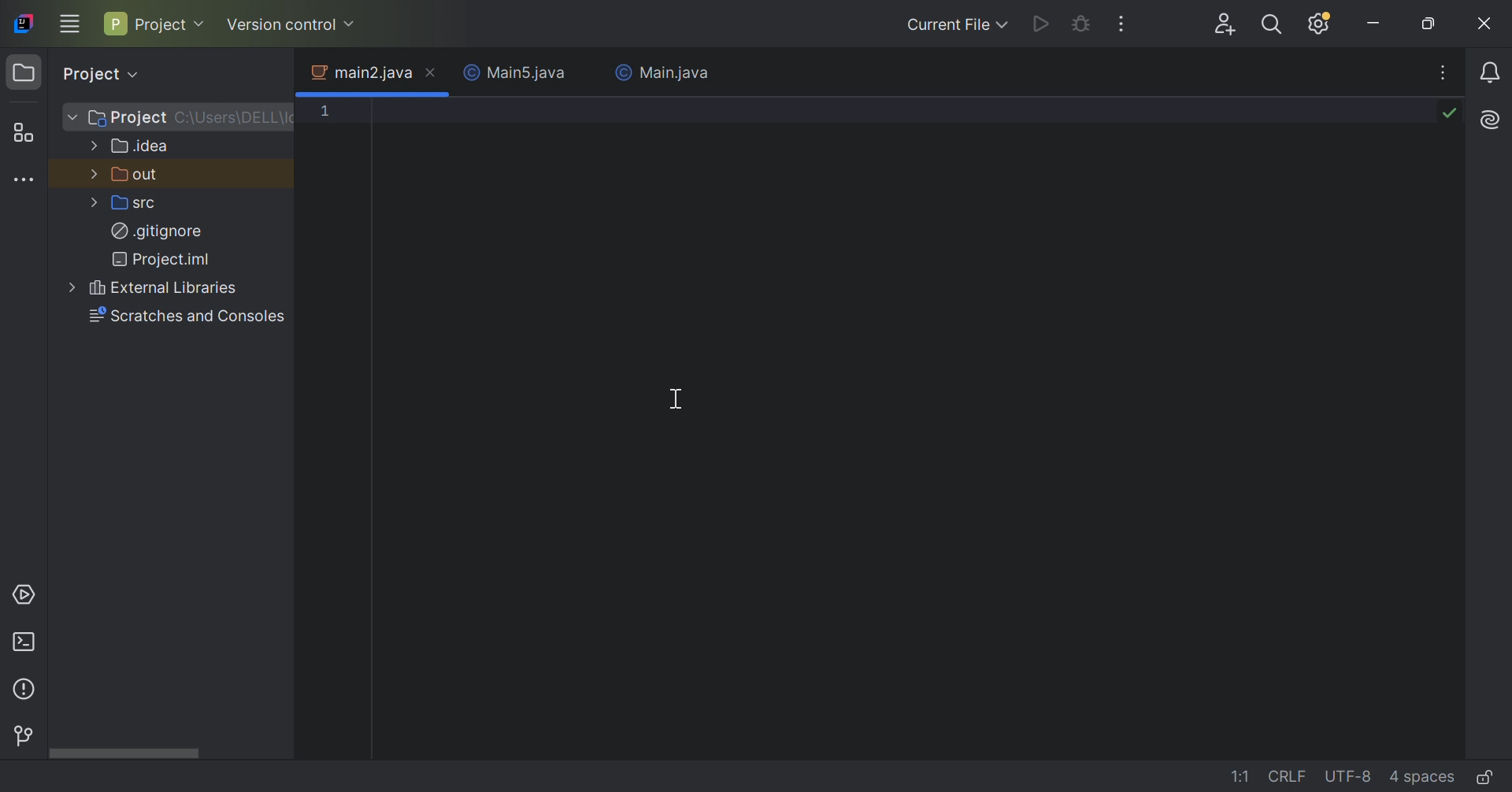 The width and height of the screenshot is (1512, 792). What do you see at coordinates (140, 145) in the screenshot?
I see `.idea` at bounding box center [140, 145].